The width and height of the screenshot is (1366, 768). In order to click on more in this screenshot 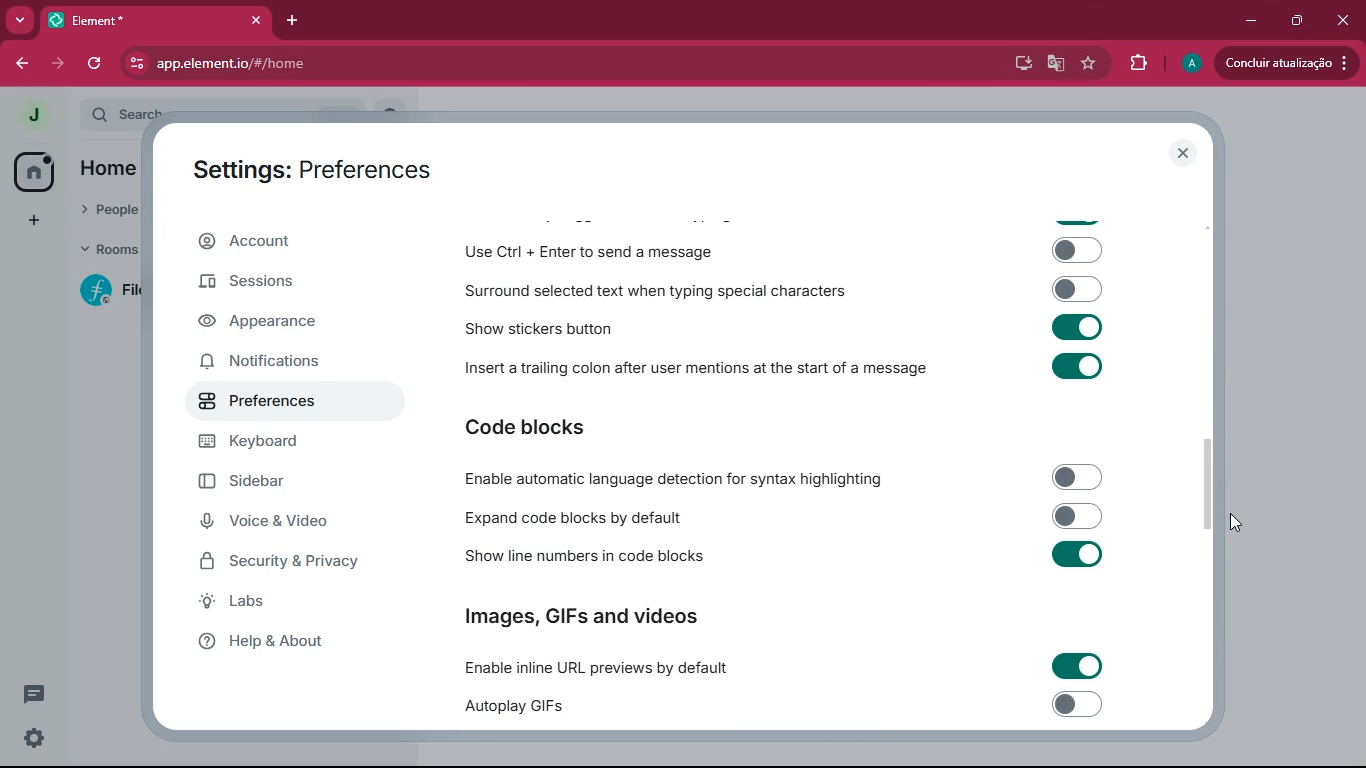, I will do `click(19, 20)`.